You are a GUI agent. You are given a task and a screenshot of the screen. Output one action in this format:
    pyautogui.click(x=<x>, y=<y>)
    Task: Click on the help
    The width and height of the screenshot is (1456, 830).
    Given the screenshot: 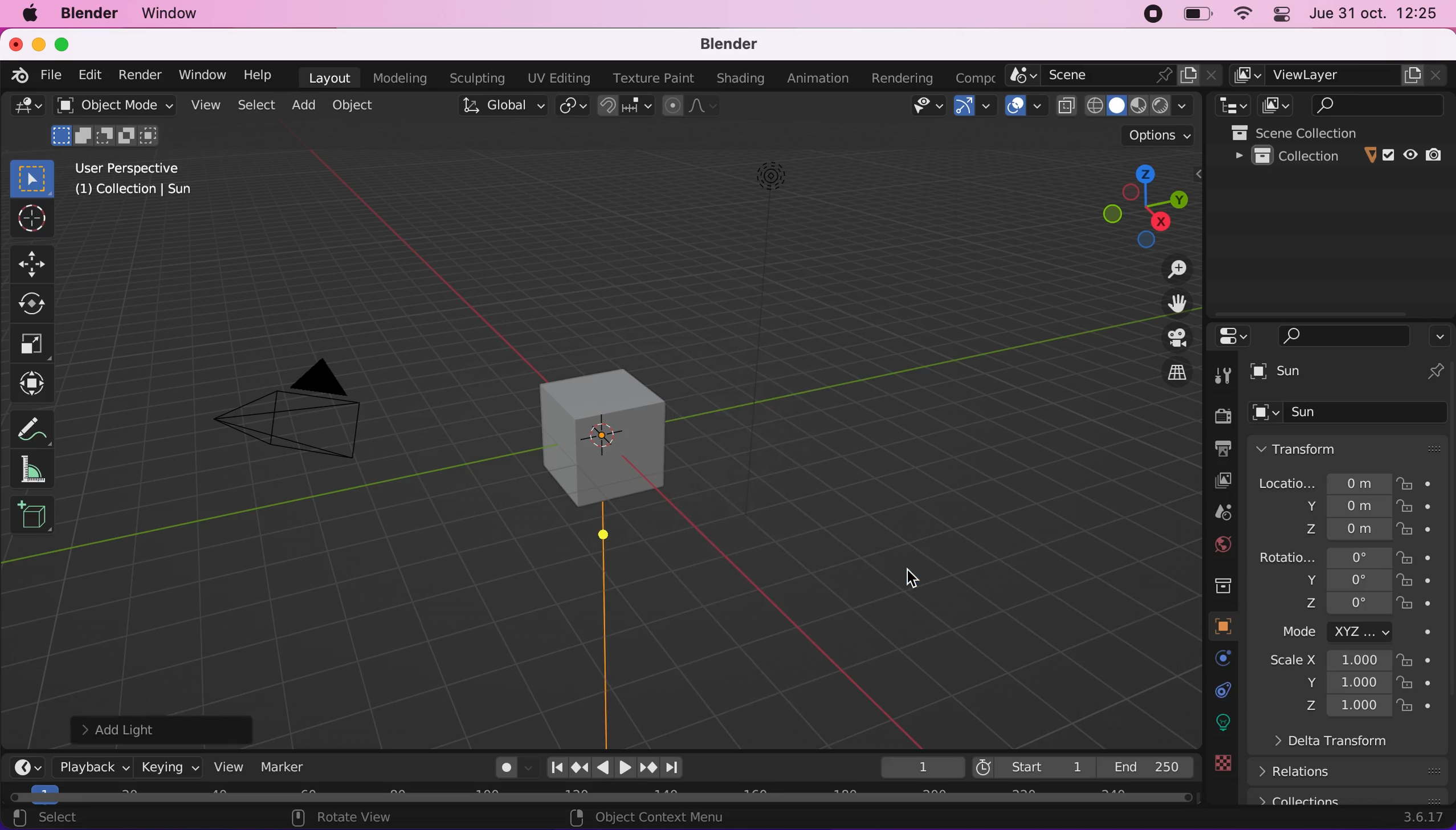 What is the action you would take?
    pyautogui.click(x=258, y=75)
    